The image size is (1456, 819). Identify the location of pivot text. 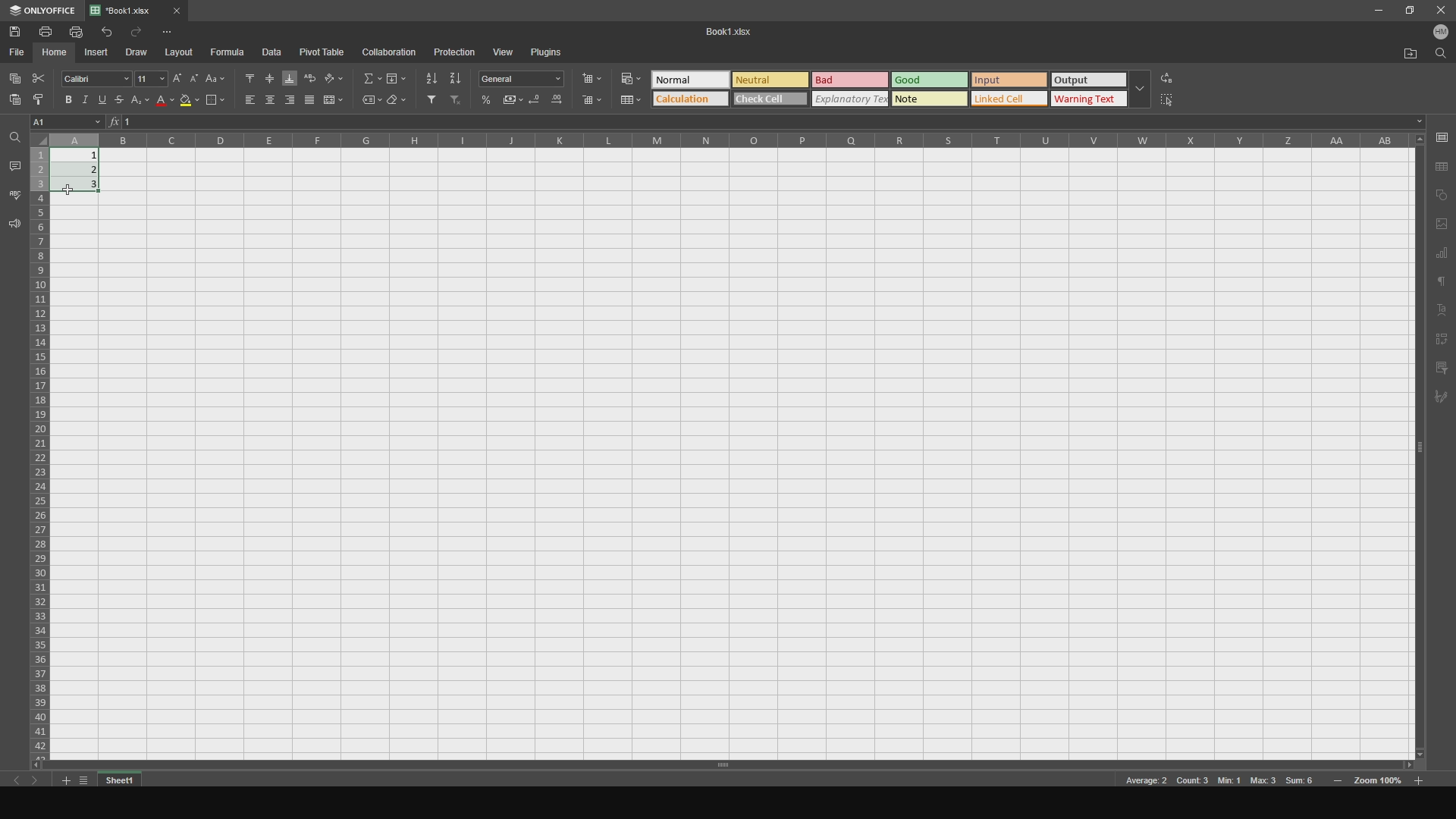
(1444, 339).